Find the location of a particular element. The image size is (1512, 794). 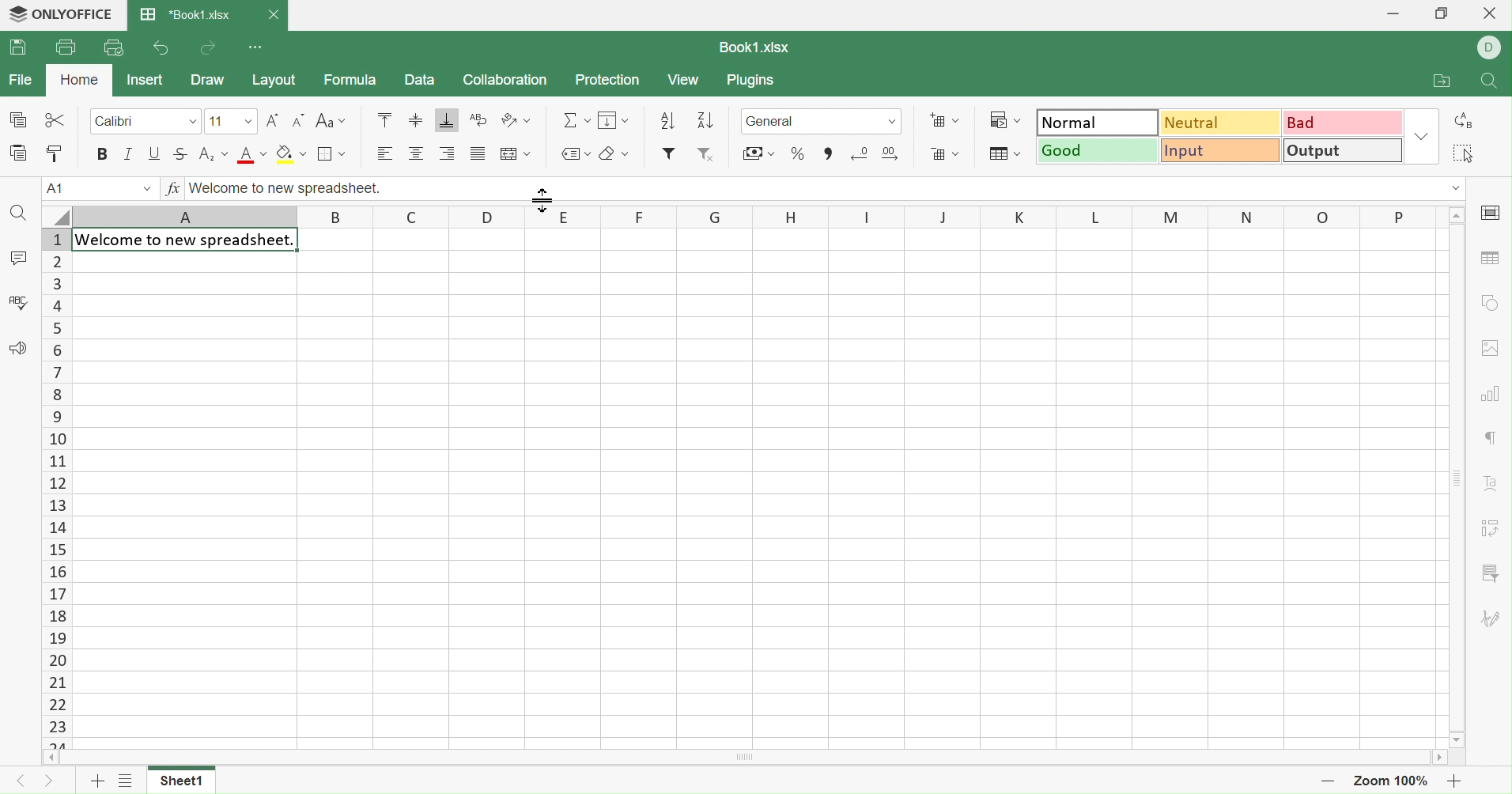

Add sheet is located at coordinates (96, 783).